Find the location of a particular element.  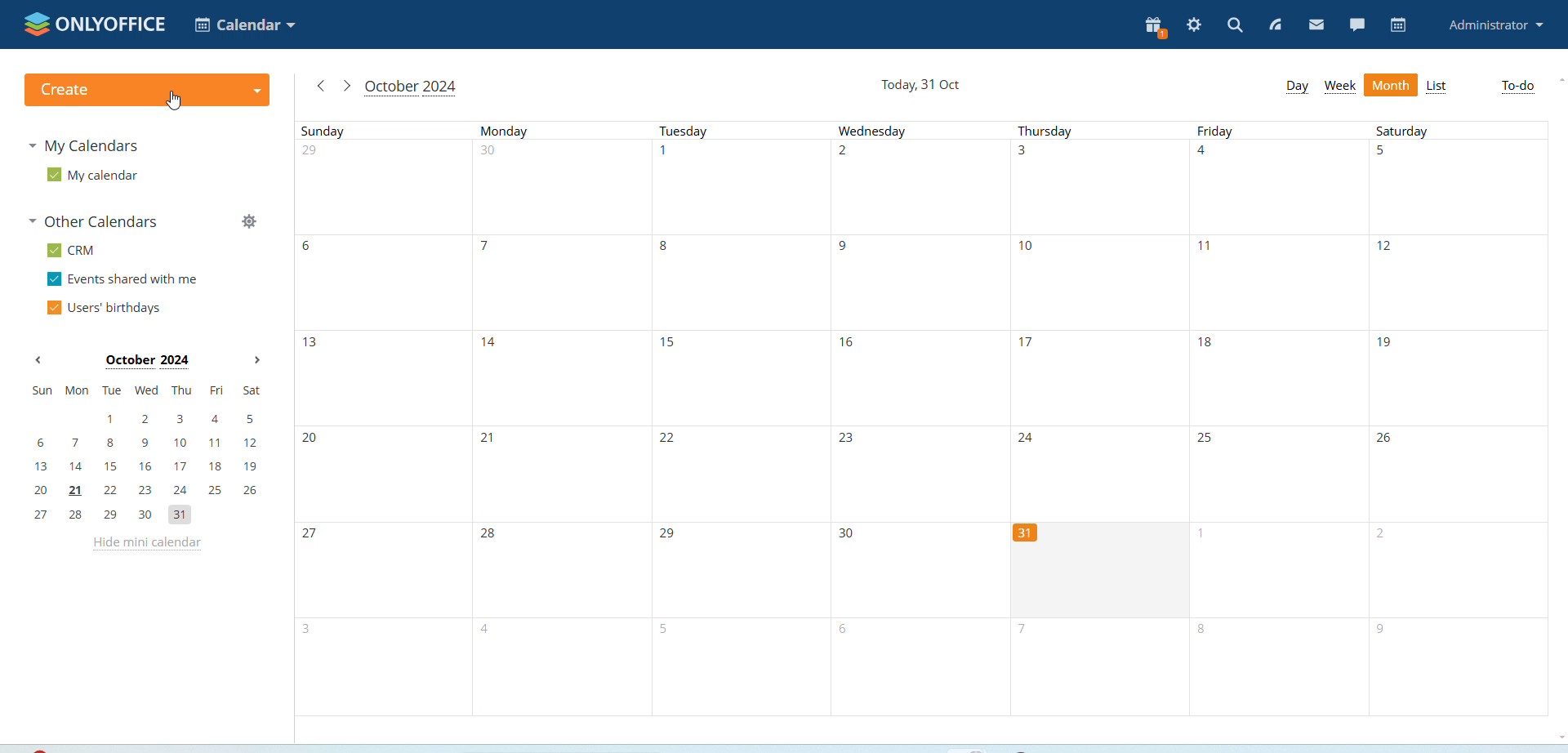

Sundays is located at coordinates (381, 419).